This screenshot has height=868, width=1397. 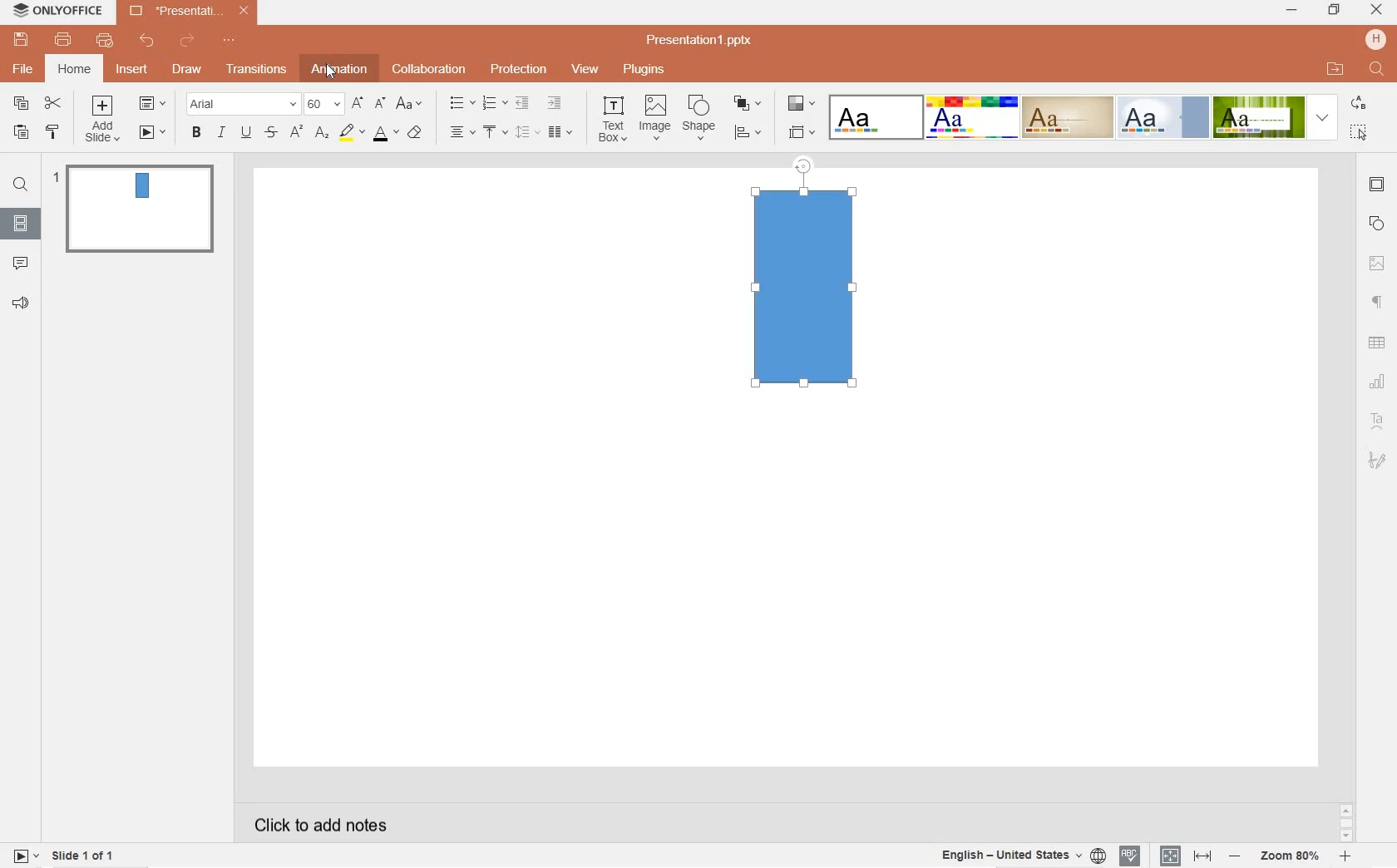 I want to click on find, so click(x=20, y=187).